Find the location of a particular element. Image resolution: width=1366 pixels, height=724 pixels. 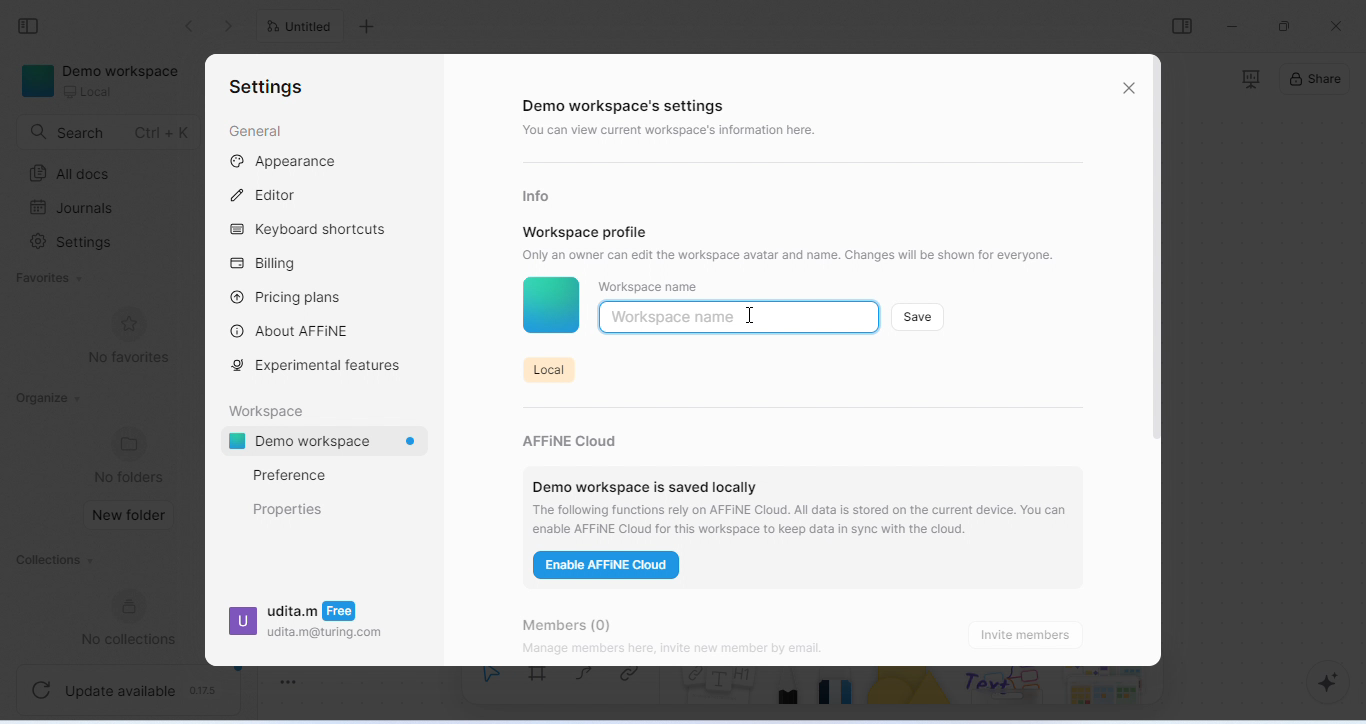

local is located at coordinates (547, 368).